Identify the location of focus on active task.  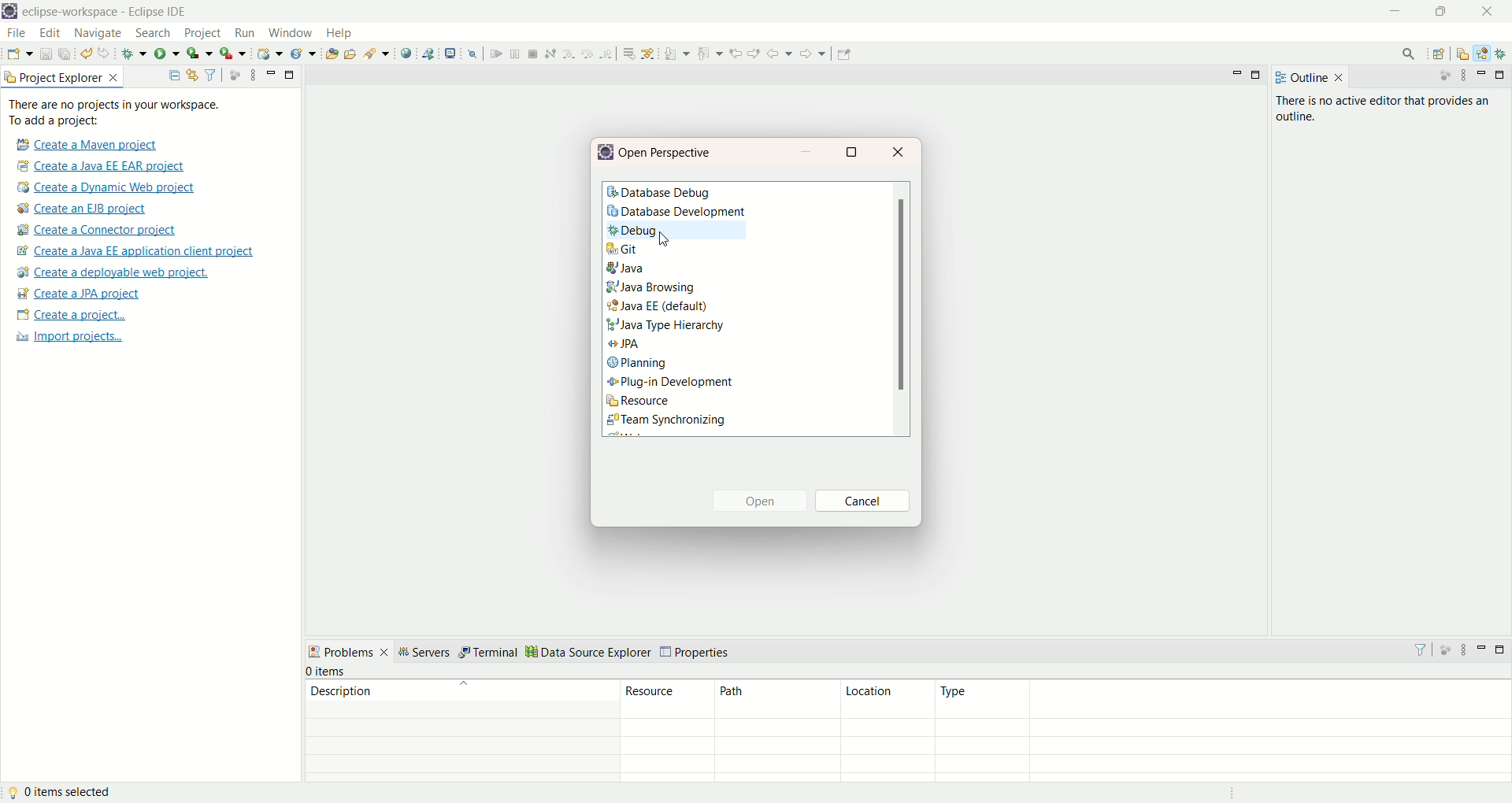
(1442, 76).